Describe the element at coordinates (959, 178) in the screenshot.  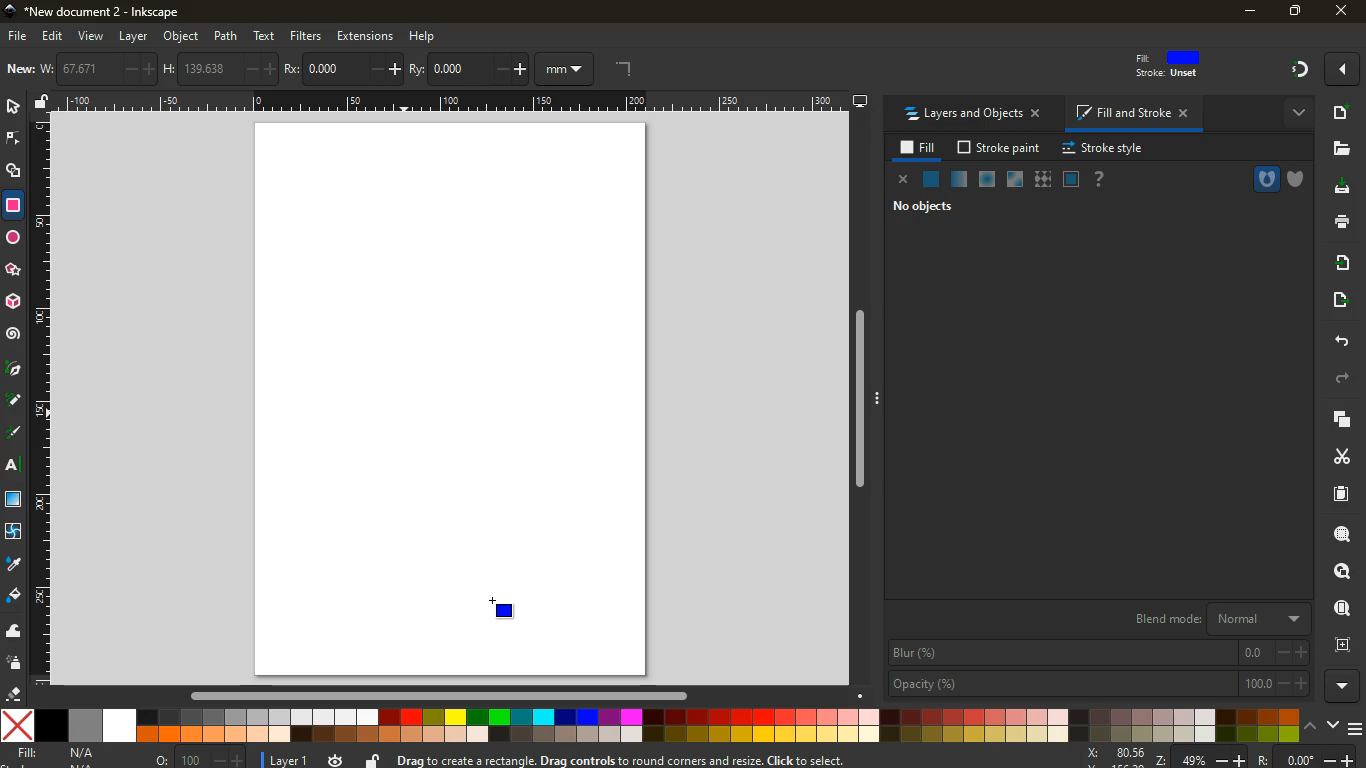
I see `opacity` at that location.